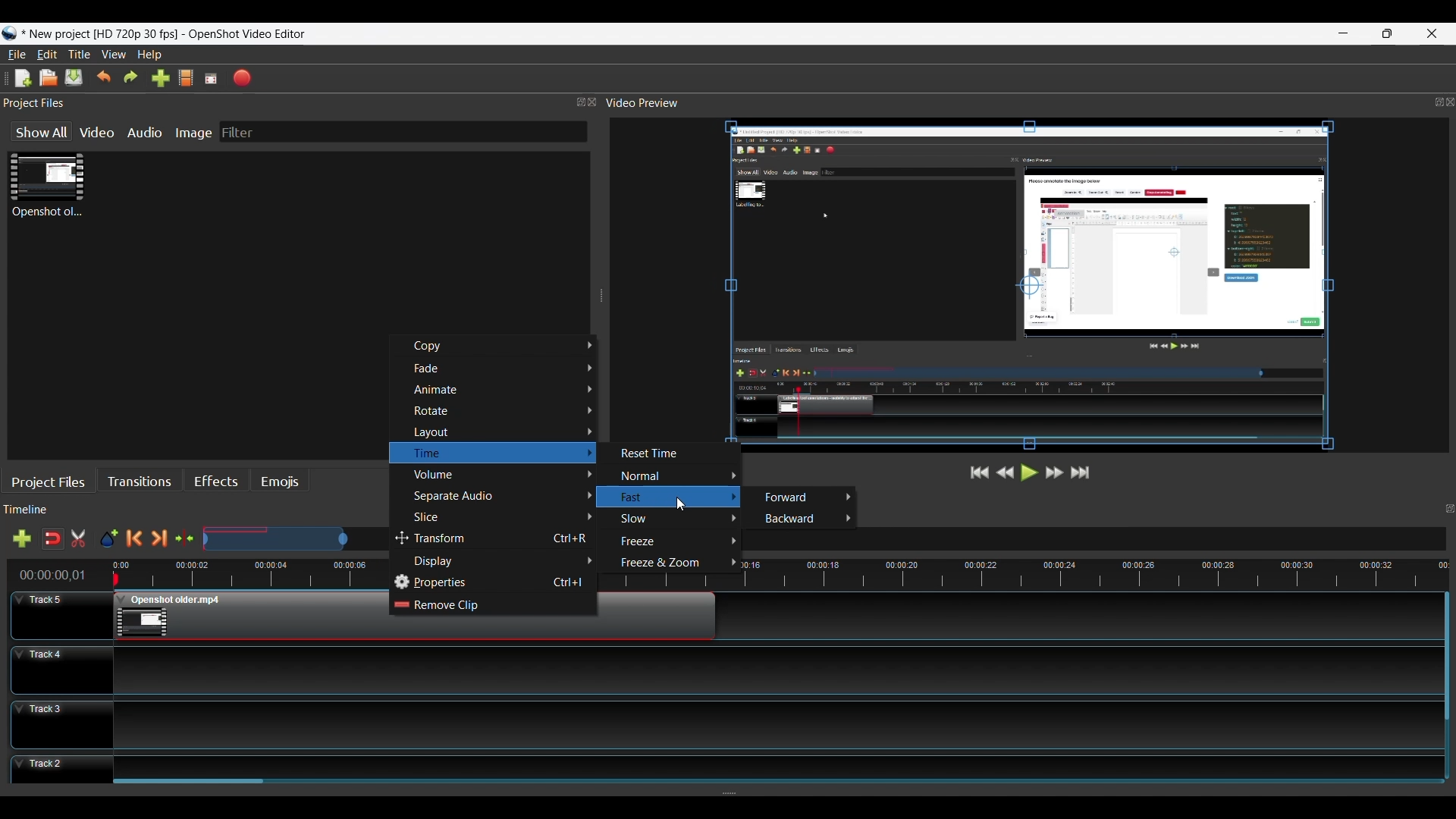 This screenshot has height=819, width=1456. What do you see at coordinates (802, 498) in the screenshot?
I see `Forward` at bounding box center [802, 498].